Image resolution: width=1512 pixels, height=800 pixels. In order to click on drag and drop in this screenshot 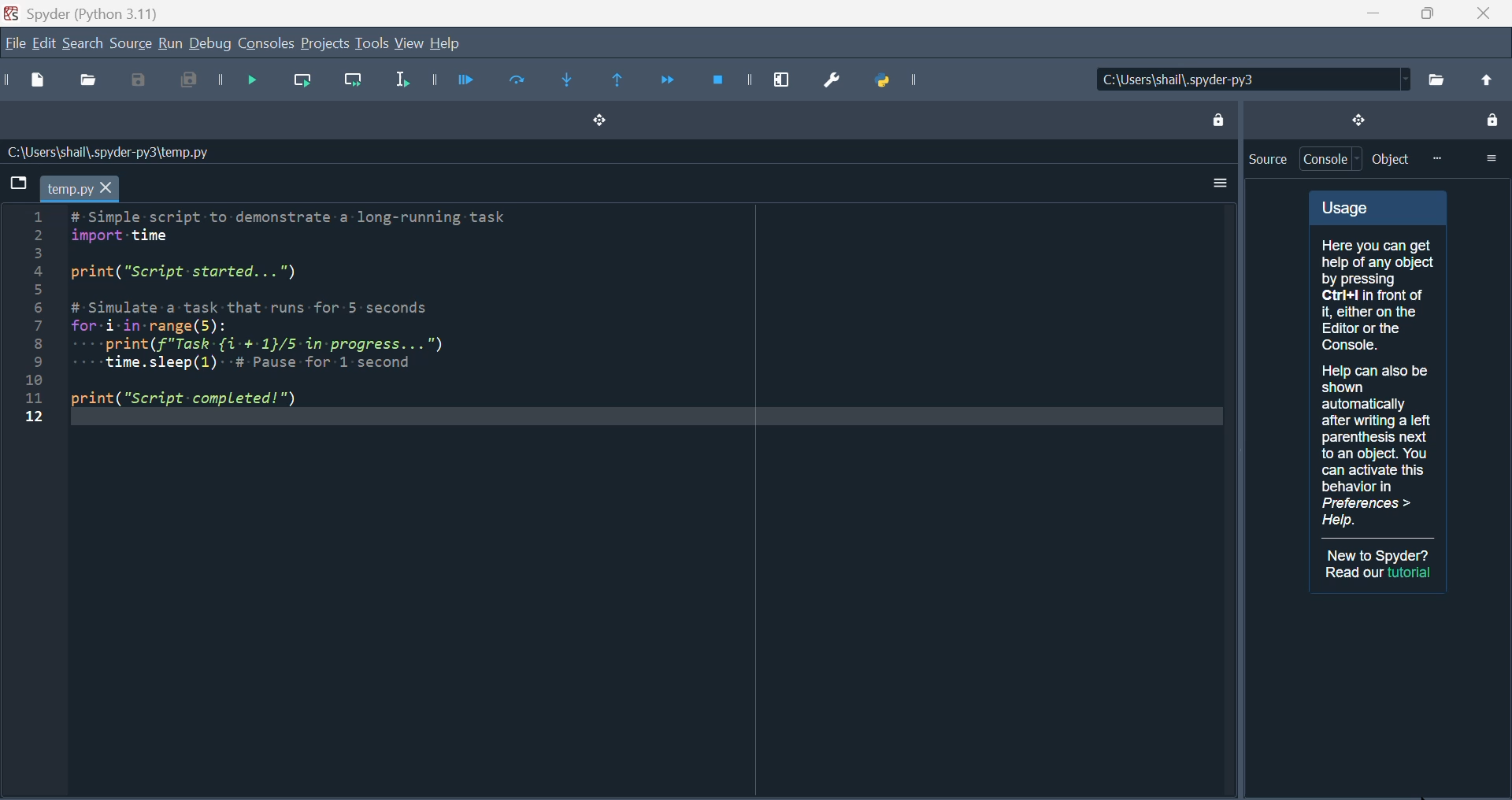, I will do `click(1357, 119)`.